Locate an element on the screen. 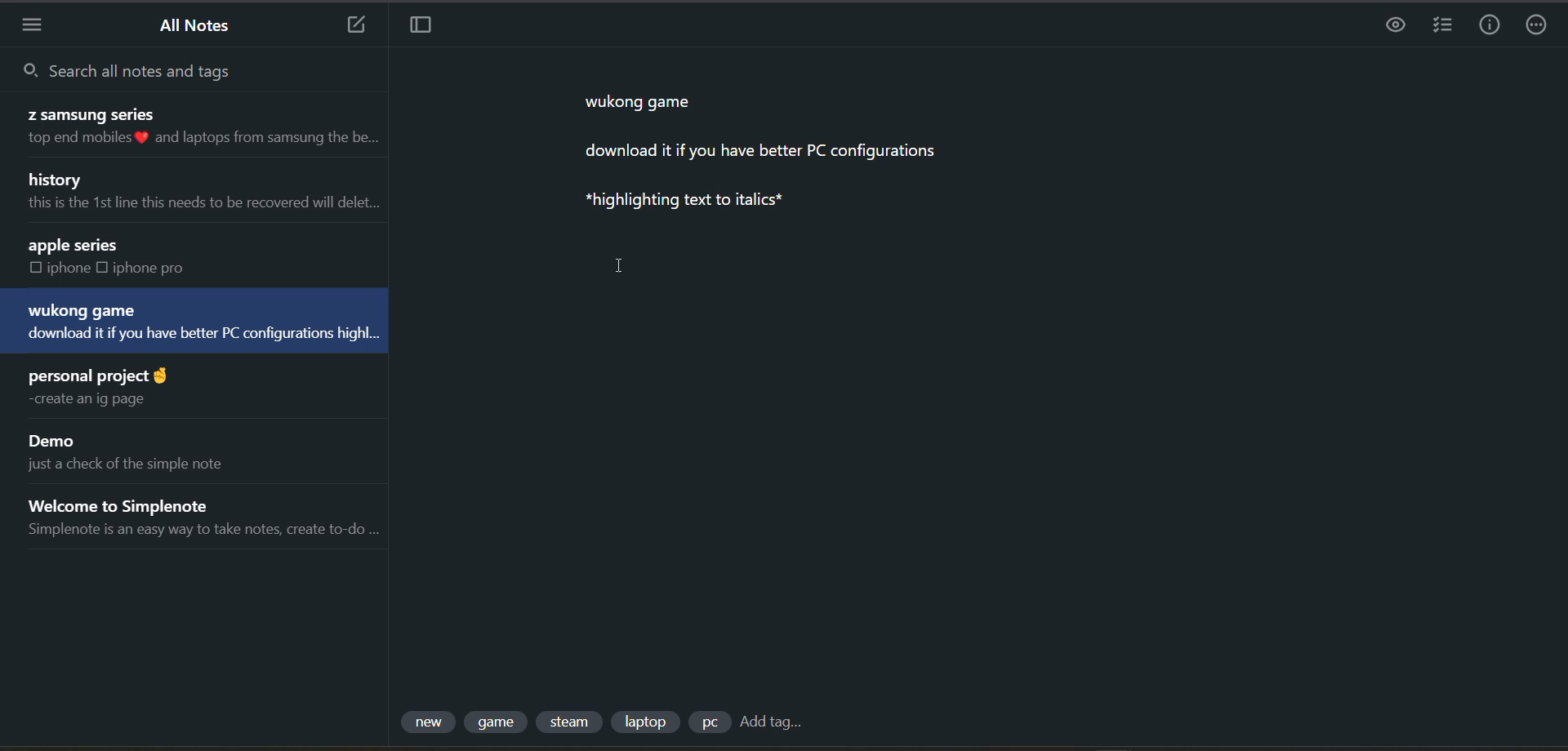 This screenshot has width=1568, height=751. add tag is located at coordinates (777, 723).